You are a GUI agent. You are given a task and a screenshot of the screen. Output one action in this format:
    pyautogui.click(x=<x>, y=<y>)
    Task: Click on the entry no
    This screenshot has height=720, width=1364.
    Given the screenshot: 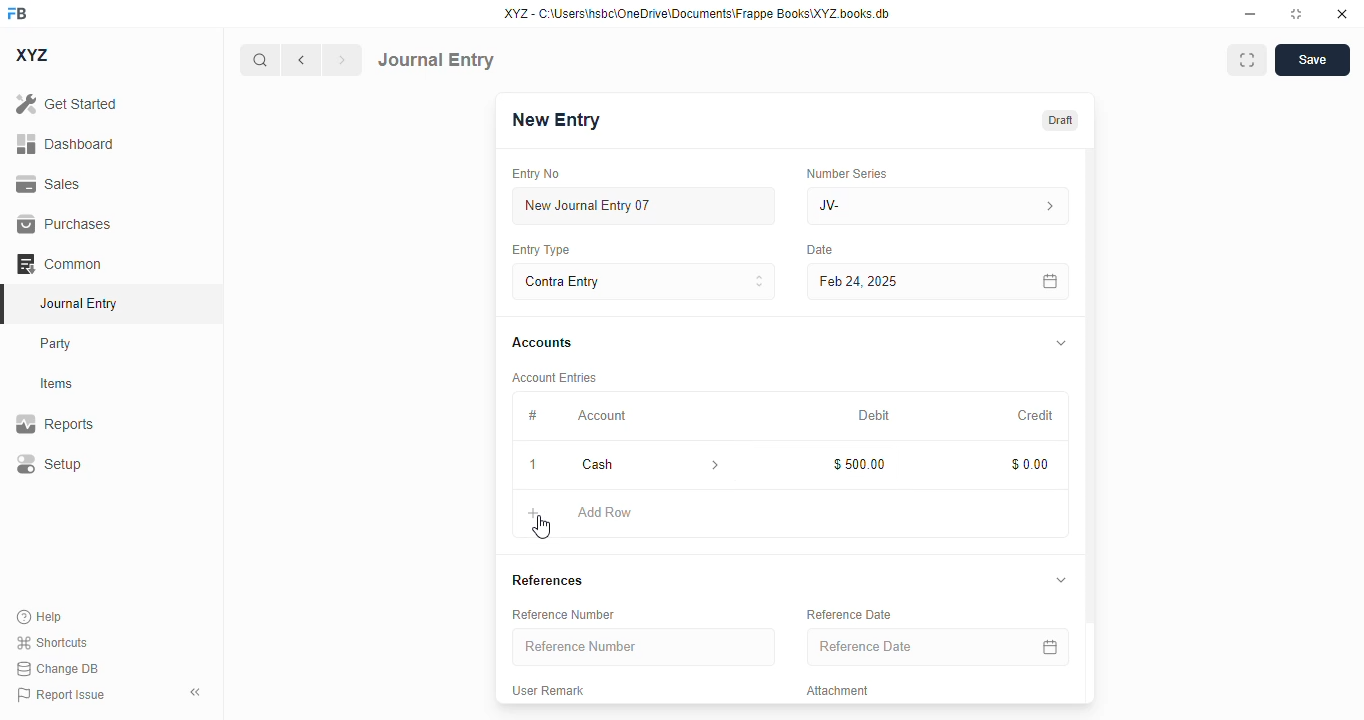 What is the action you would take?
    pyautogui.click(x=537, y=173)
    